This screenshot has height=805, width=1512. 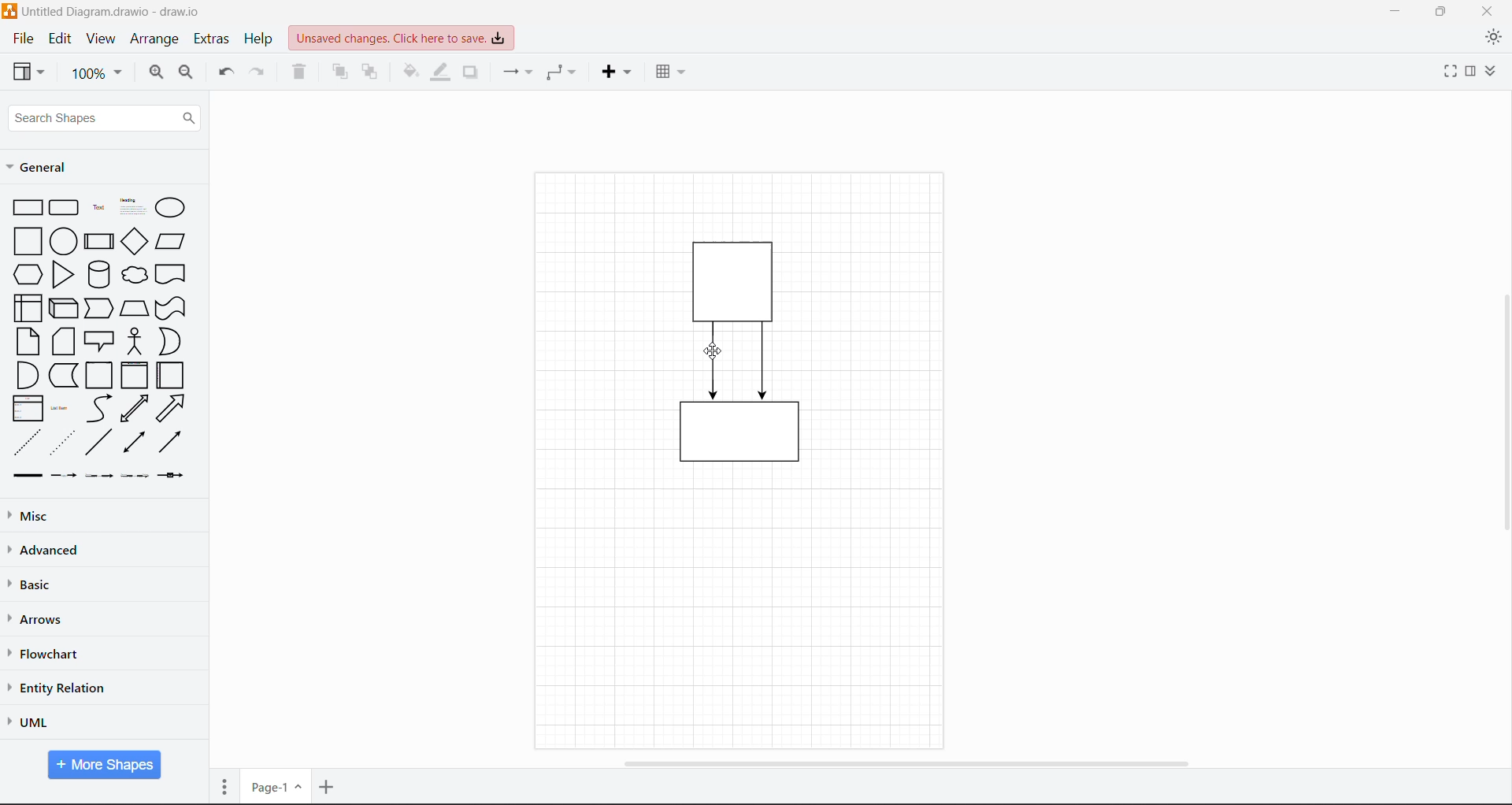 What do you see at coordinates (562, 72) in the screenshot?
I see `Waypoints` at bounding box center [562, 72].